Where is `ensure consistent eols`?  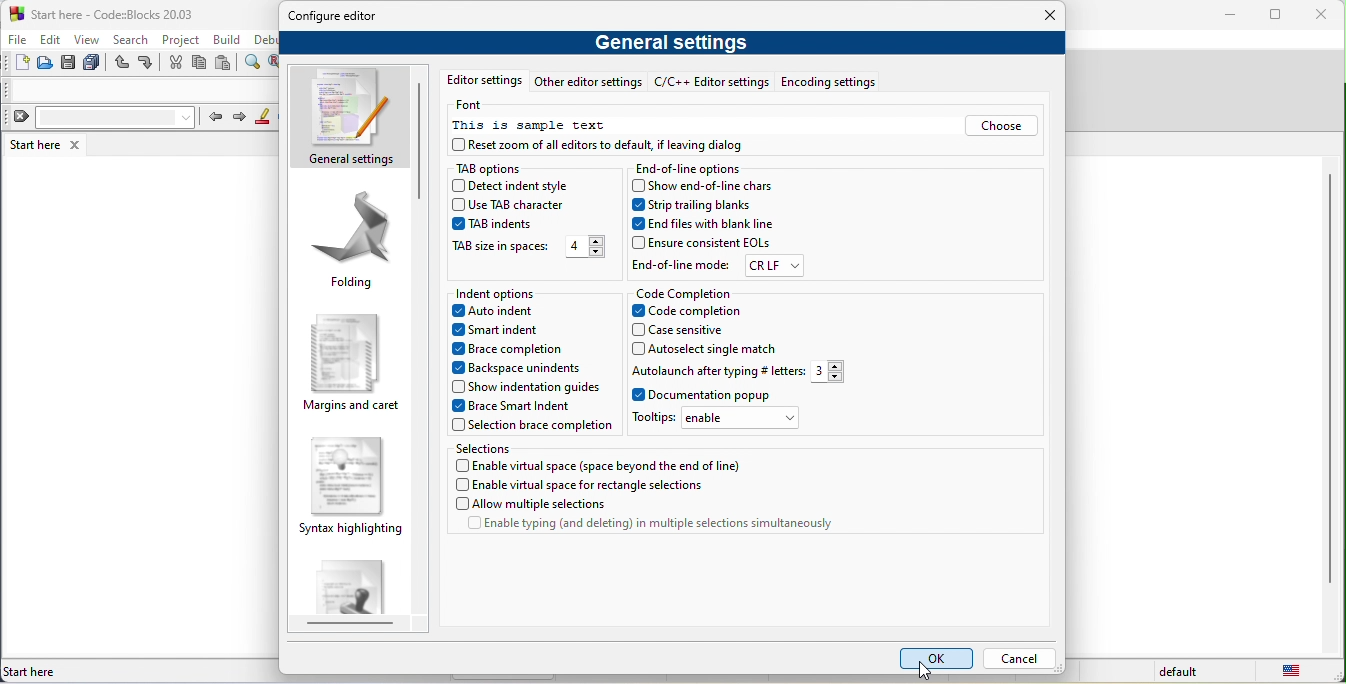
ensure consistent eols is located at coordinates (706, 239).